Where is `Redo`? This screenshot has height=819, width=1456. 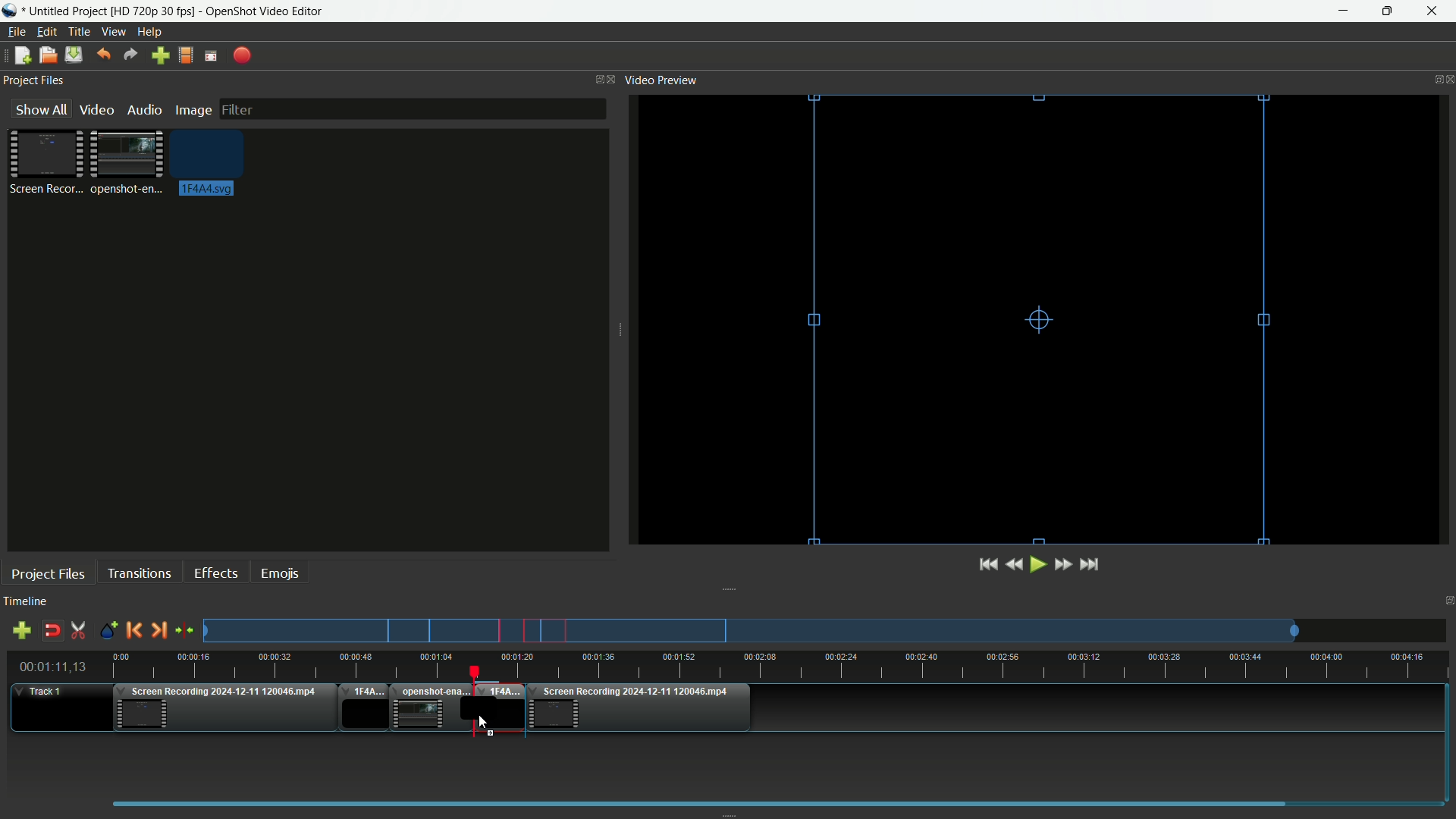 Redo is located at coordinates (130, 55).